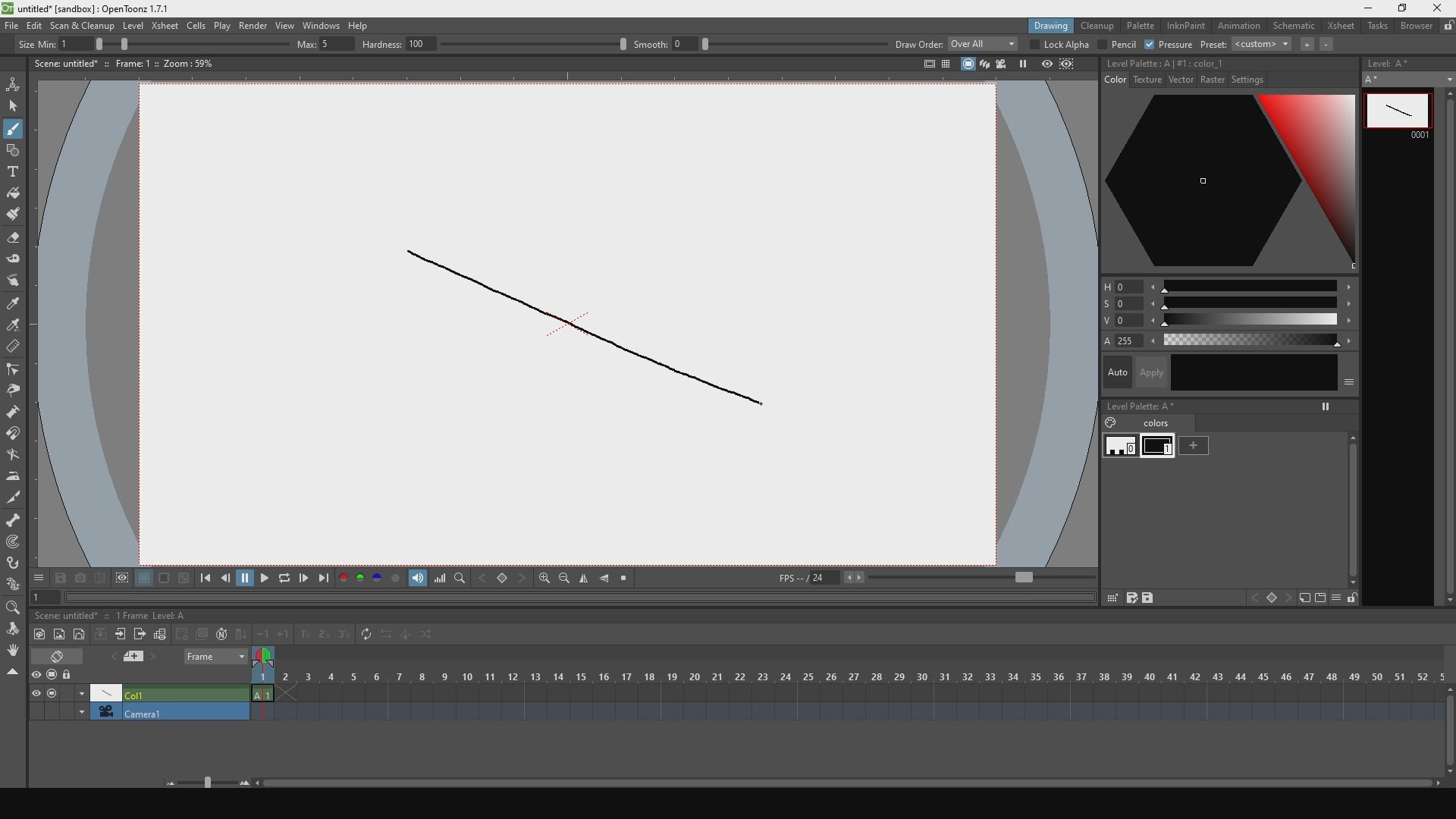  Describe the element at coordinates (983, 44) in the screenshot. I see `overall` at that location.